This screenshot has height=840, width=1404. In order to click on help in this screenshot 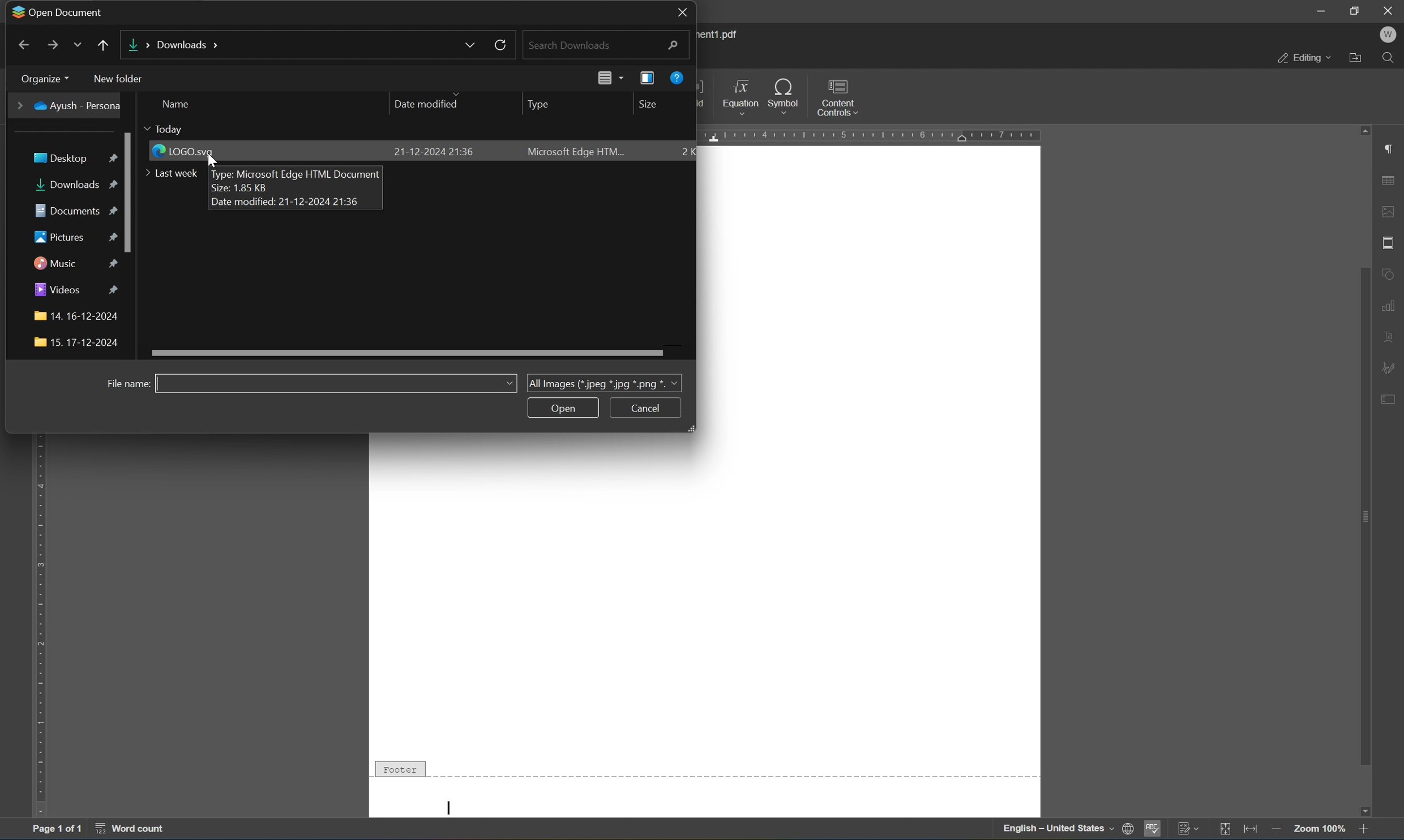, I will do `click(678, 80)`.